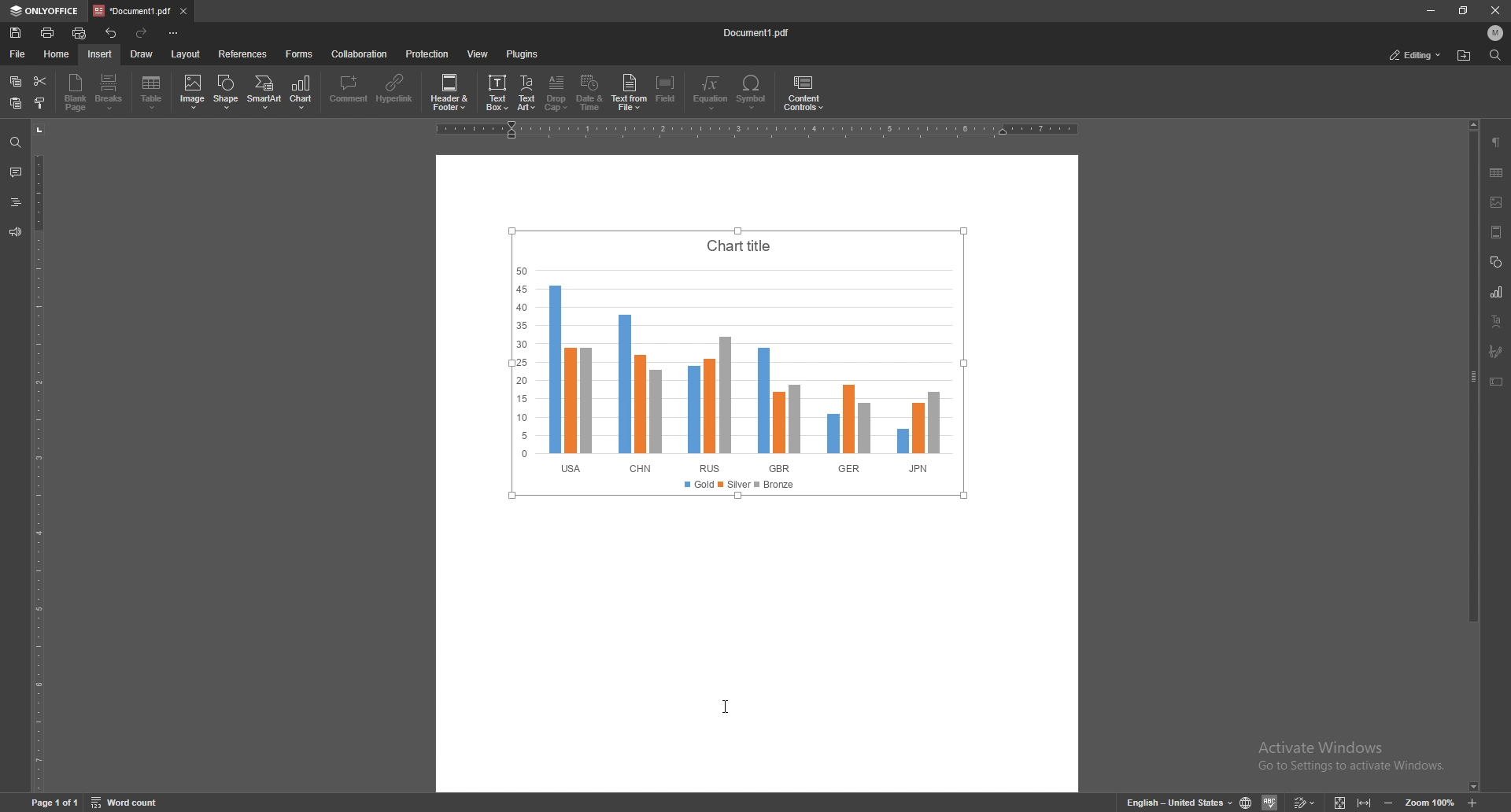 The image size is (1511, 812). I want to click on paragraph, so click(1498, 141).